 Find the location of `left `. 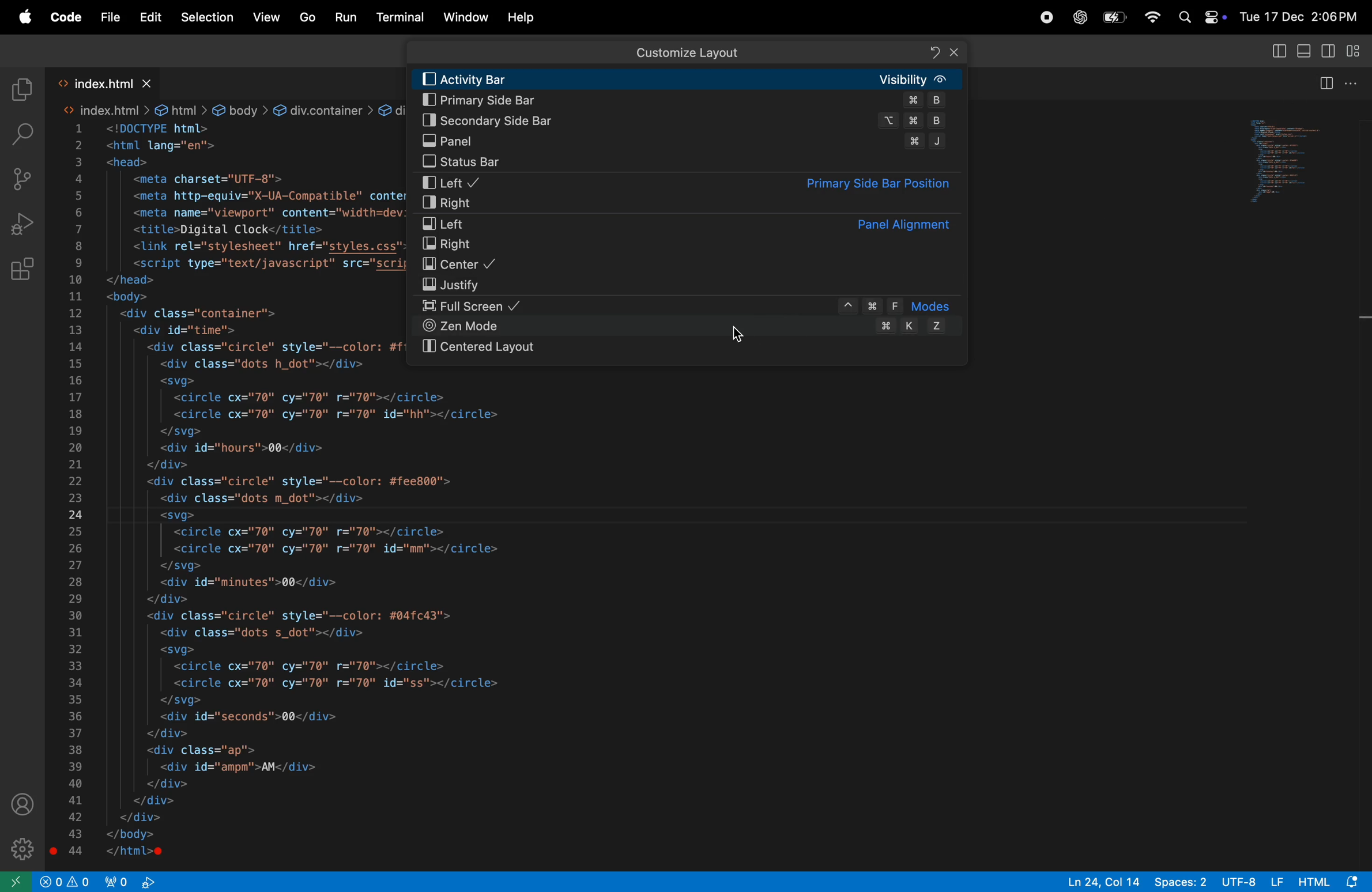

left  is located at coordinates (685, 183).